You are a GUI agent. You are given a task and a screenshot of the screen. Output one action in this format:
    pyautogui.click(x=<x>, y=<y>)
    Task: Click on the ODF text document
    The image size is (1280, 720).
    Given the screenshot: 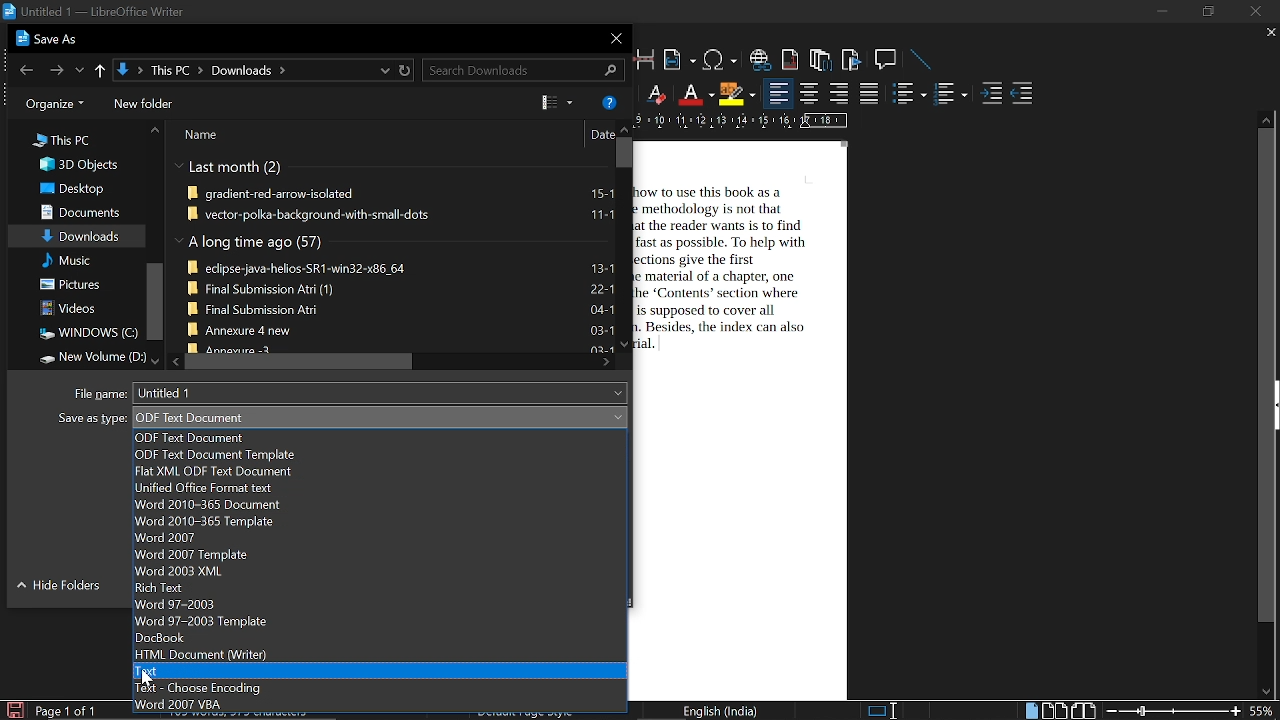 What is the action you would take?
    pyautogui.click(x=382, y=439)
    